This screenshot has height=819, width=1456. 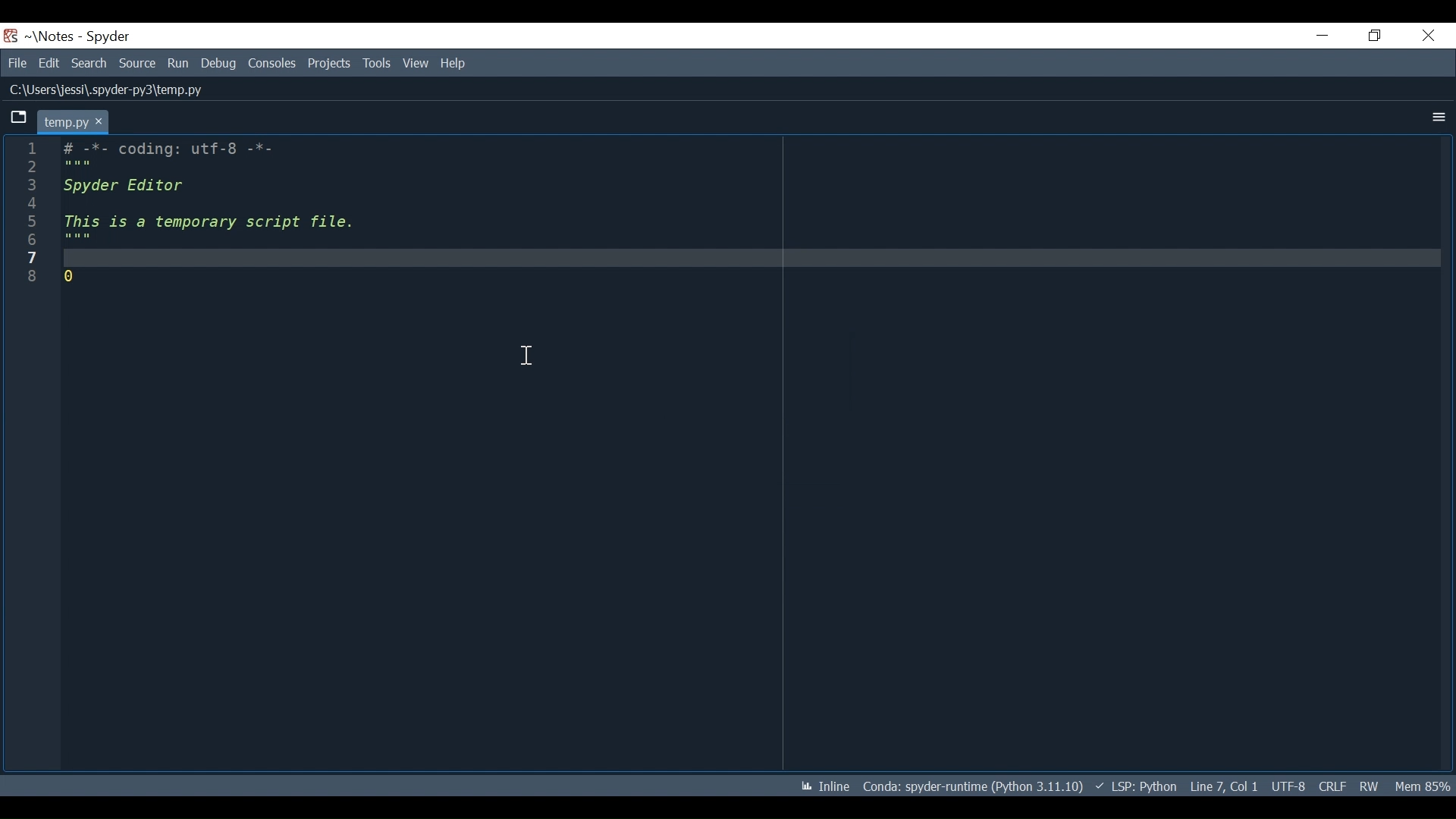 What do you see at coordinates (137, 63) in the screenshot?
I see `Source` at bounding box center [137, 63].